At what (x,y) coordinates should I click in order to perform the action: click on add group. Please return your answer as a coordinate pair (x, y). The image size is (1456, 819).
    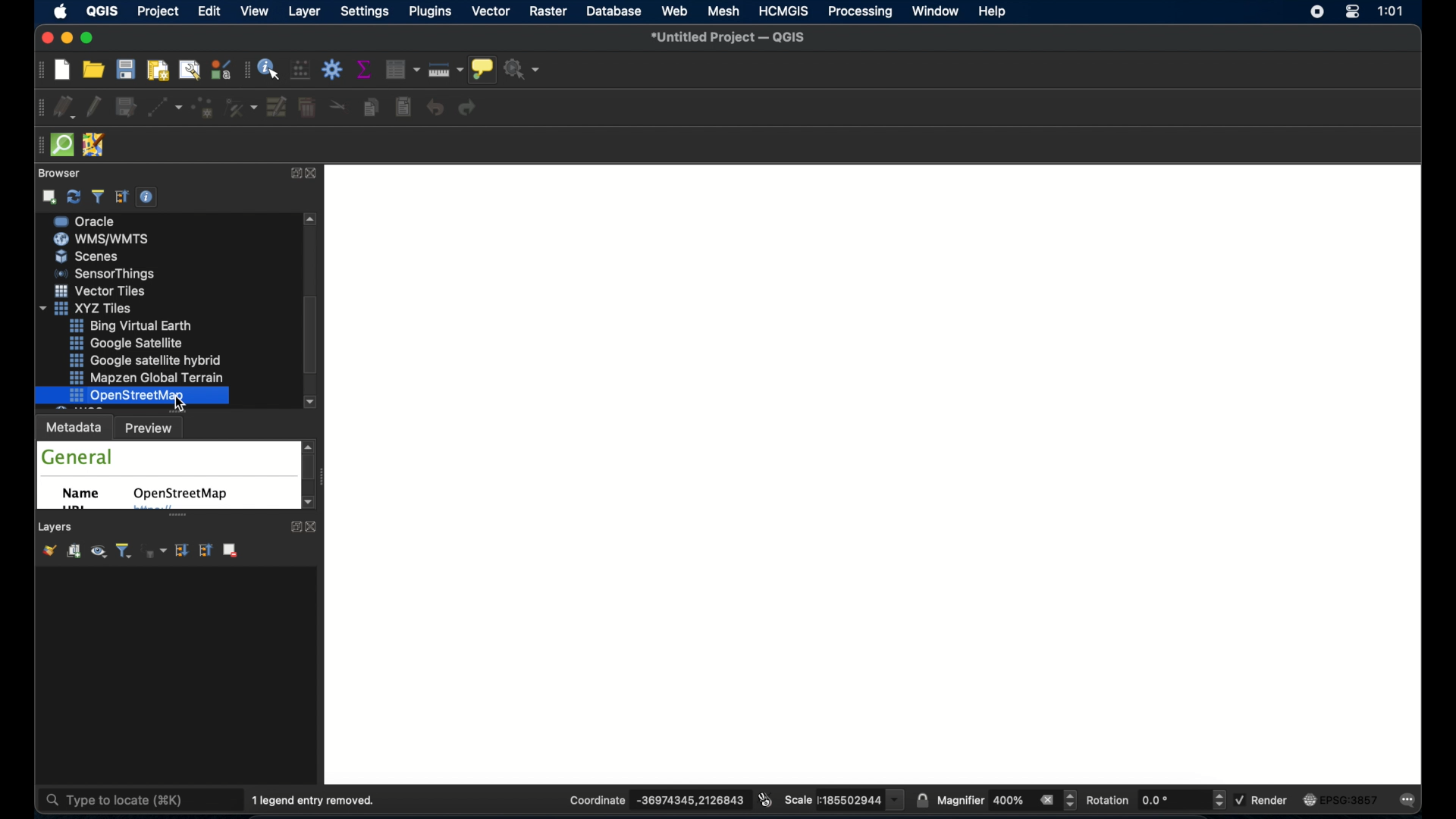
    Looking at the image, I should click on (72, 551).